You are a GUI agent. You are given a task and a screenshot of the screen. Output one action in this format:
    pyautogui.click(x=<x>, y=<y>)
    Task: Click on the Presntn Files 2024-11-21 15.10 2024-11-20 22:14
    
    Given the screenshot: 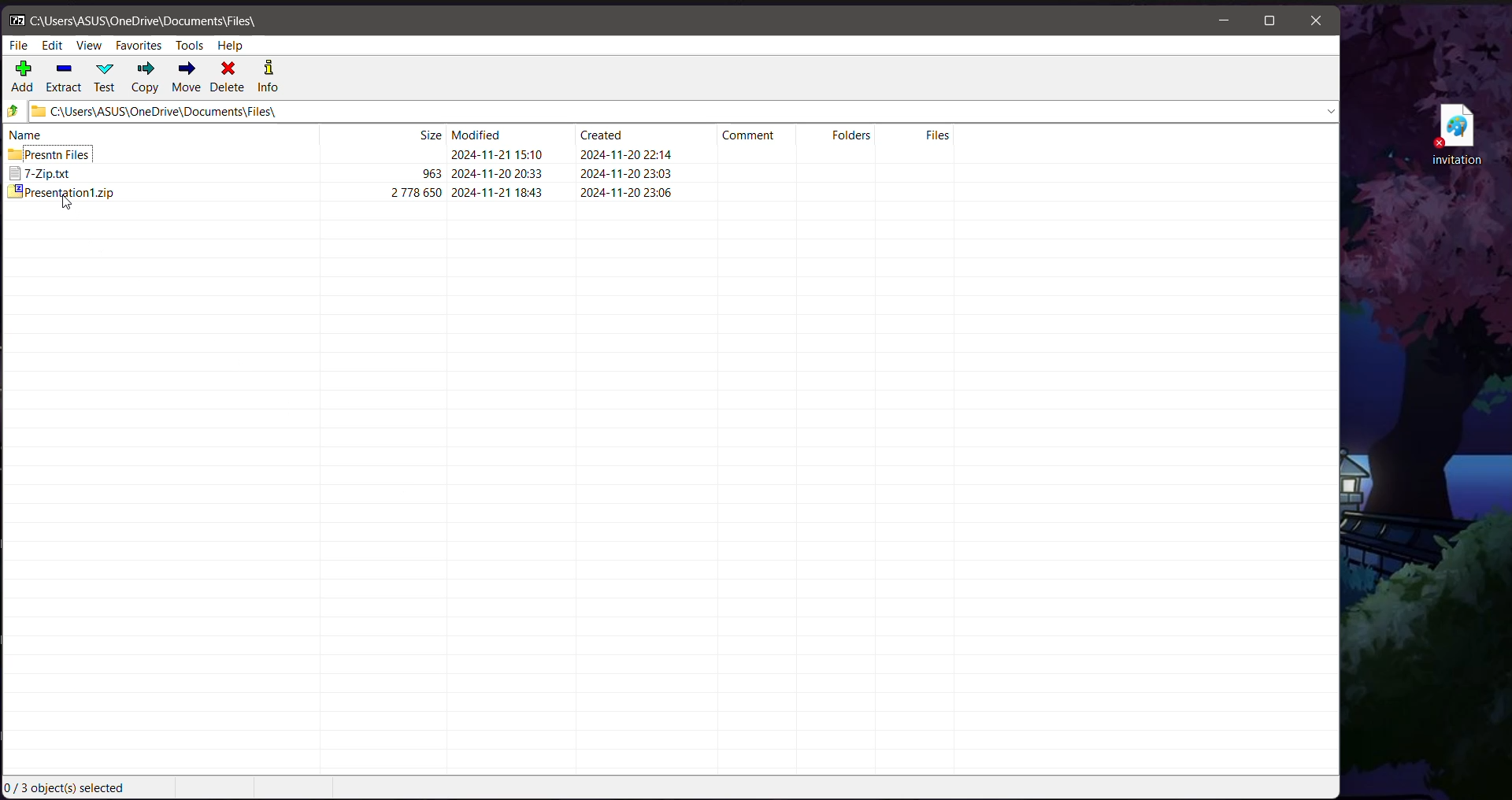 What is the action you would take?
    pyautogui.click(x=338, y=154)
    